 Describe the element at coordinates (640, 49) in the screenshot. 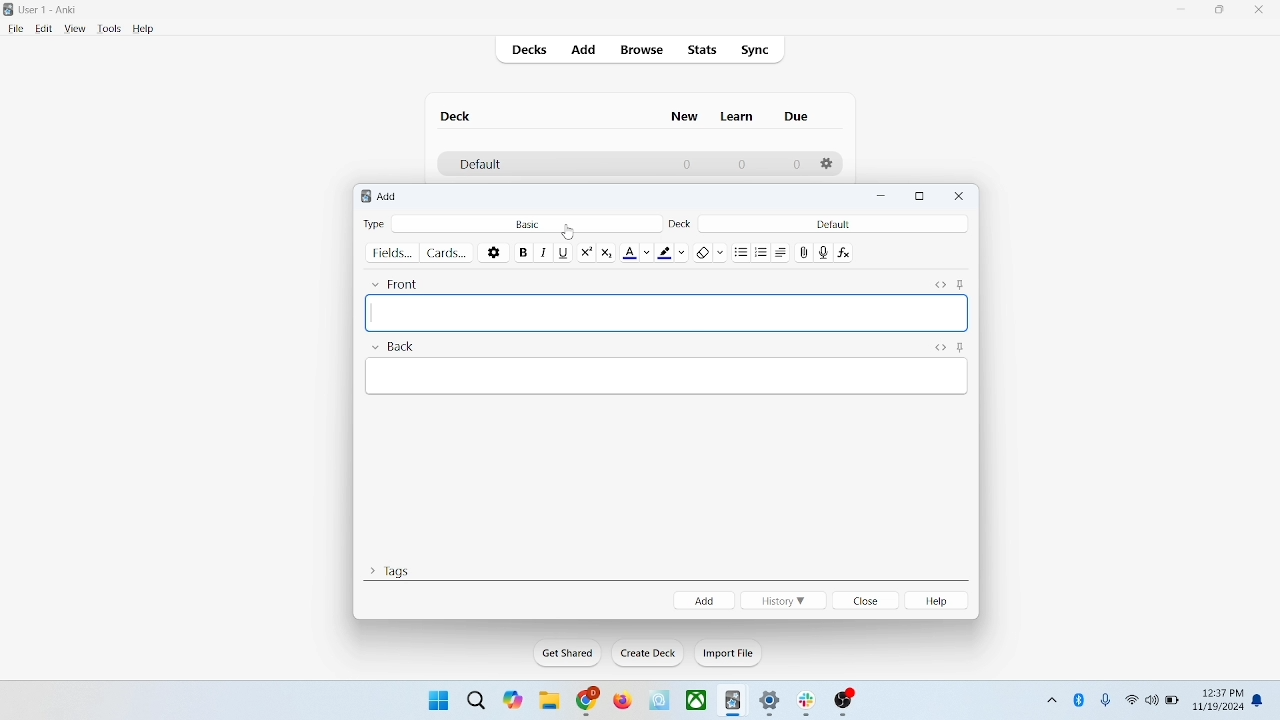

I see `browse` at that location.